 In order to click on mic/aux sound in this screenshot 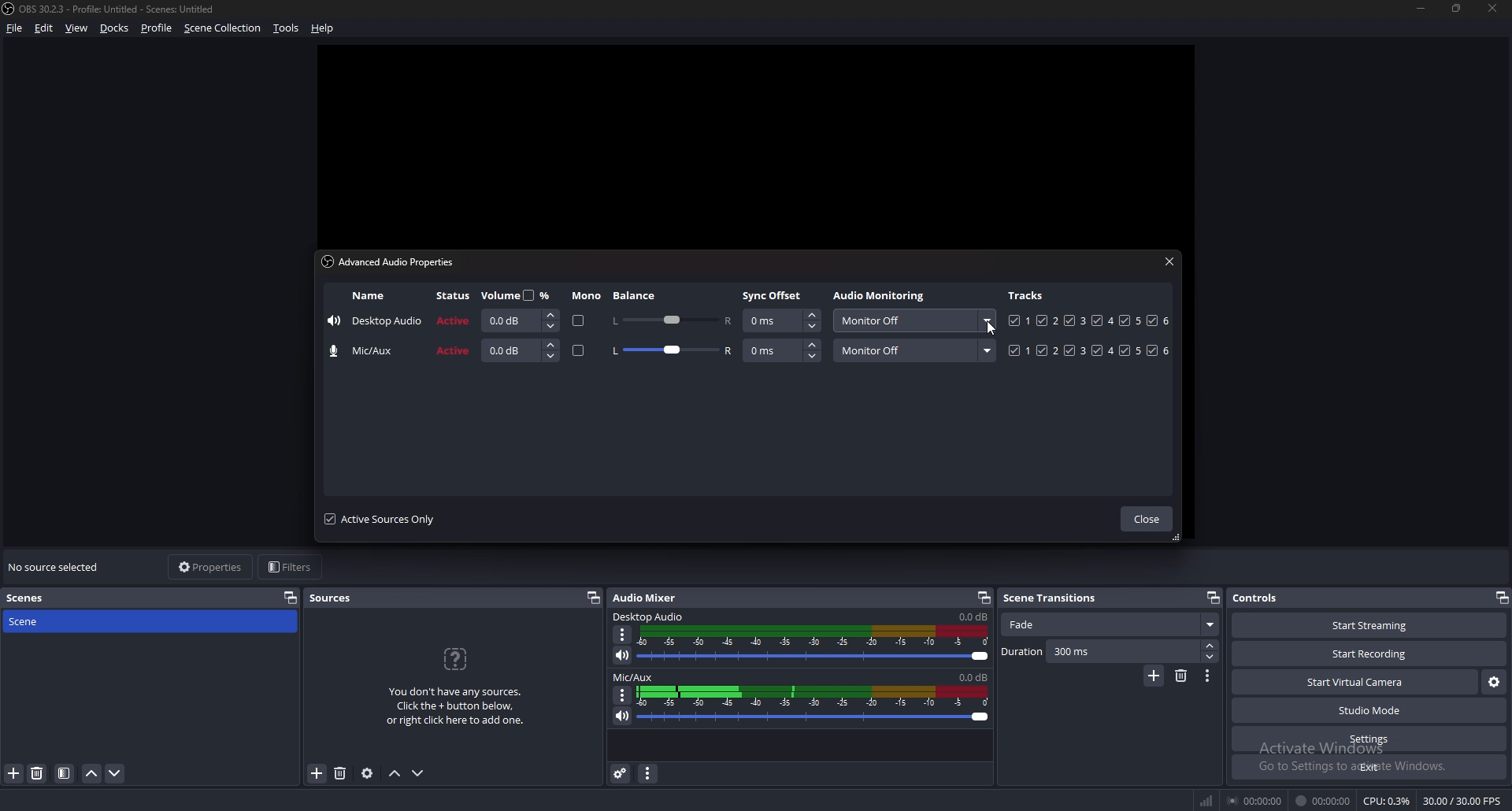, I will do `click(971, 676)`.